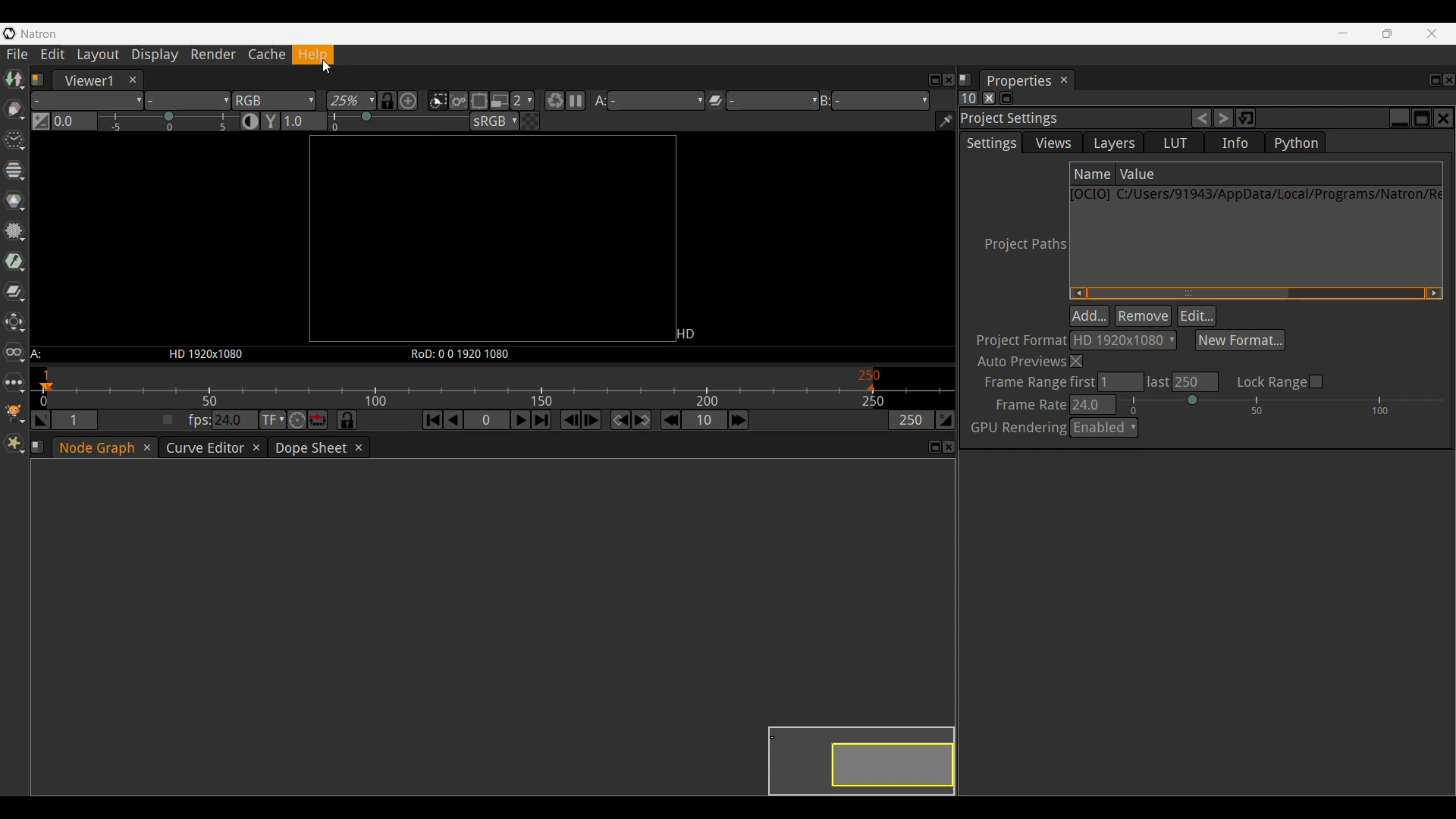 This screenshot has width=1456, height=819. I want to click on Cache menu, so click(266, 55).